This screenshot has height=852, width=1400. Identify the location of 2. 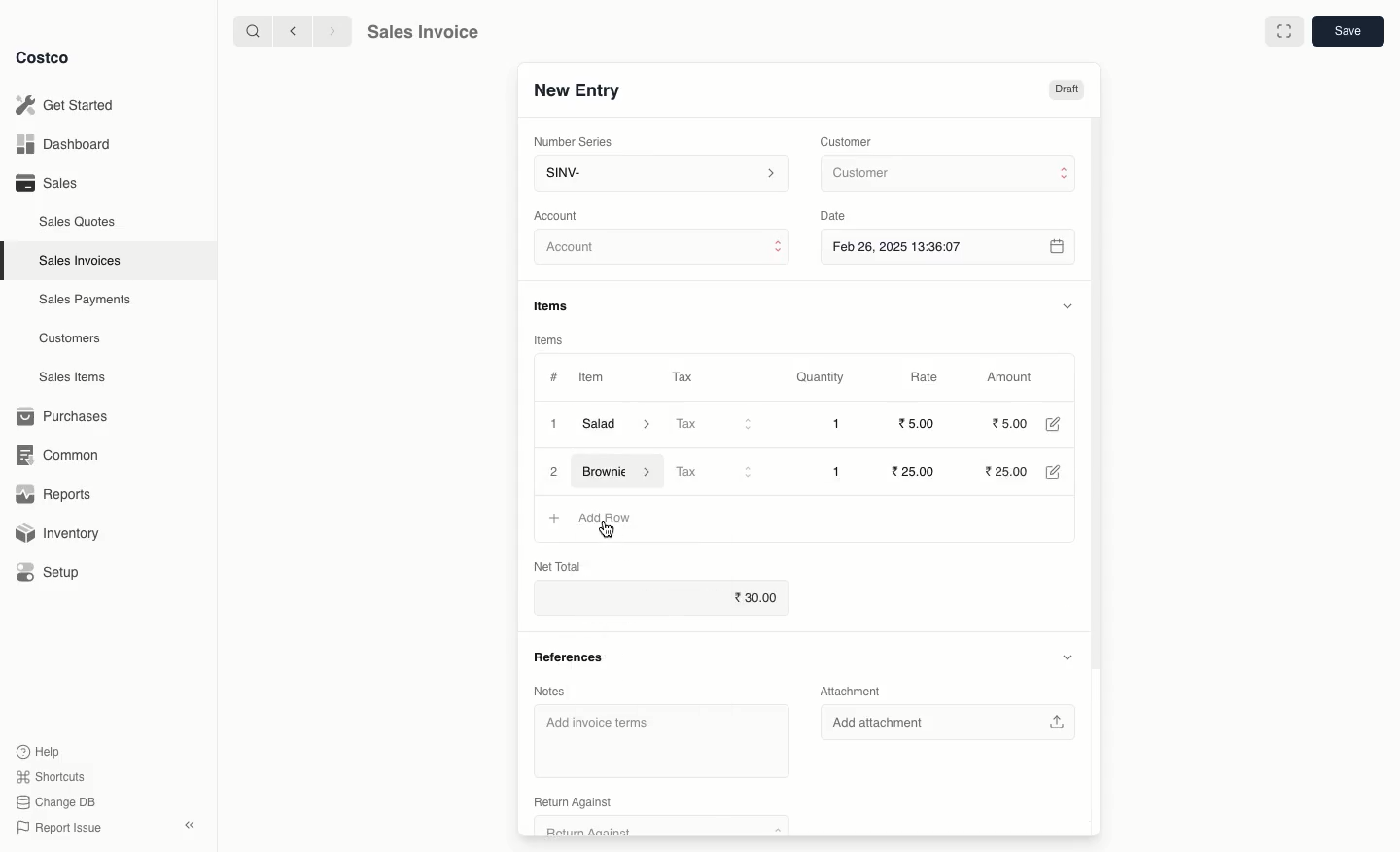
(555, 472).